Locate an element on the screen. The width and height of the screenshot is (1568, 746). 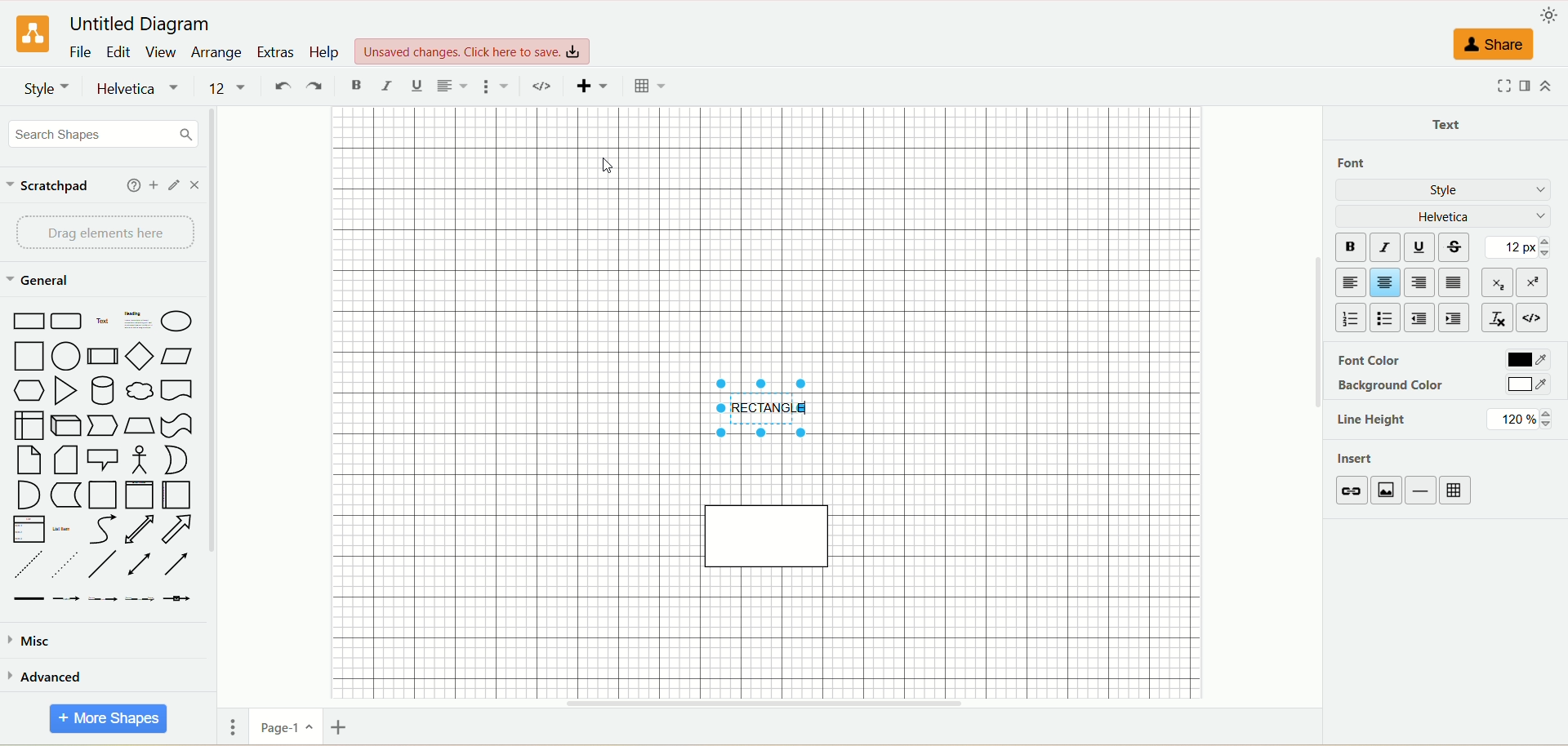
or is located at coordinates (175, 459).